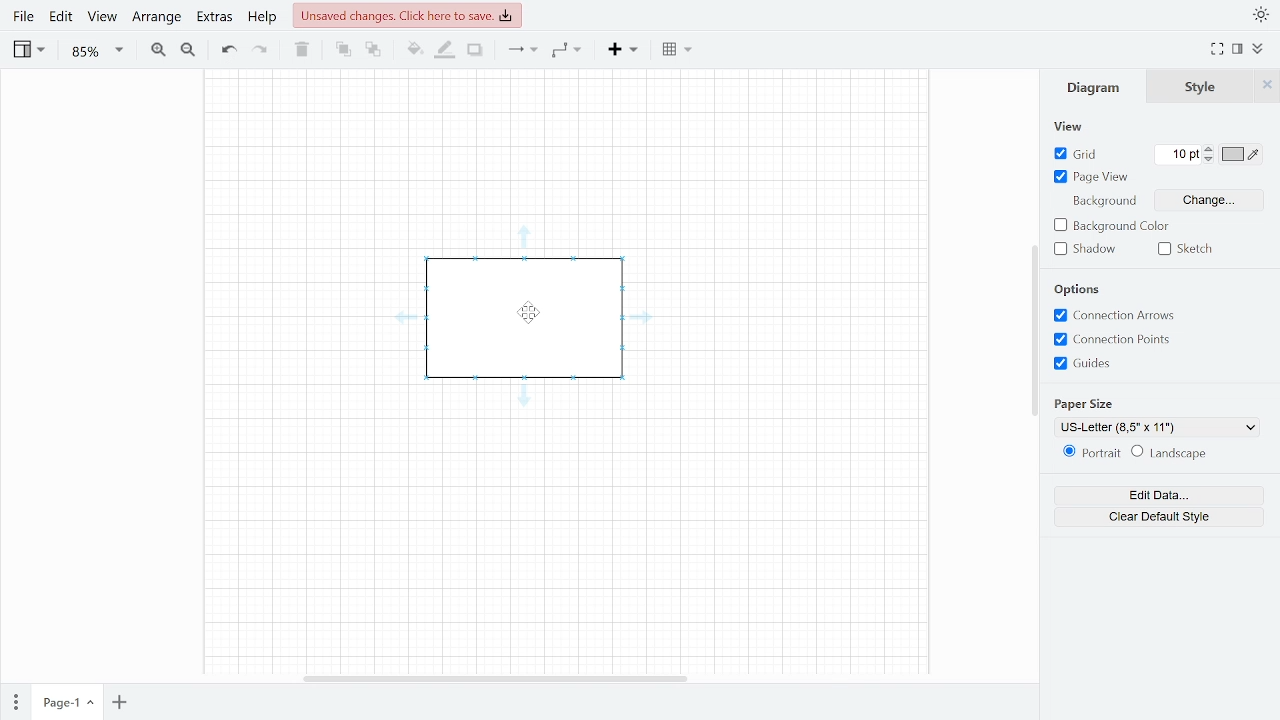 The width and height of the screenshot is (1280, 720). What do you see at coordinates (62, 20) in the screenshot?
I see `Edit` at bounding box center [62, 20].